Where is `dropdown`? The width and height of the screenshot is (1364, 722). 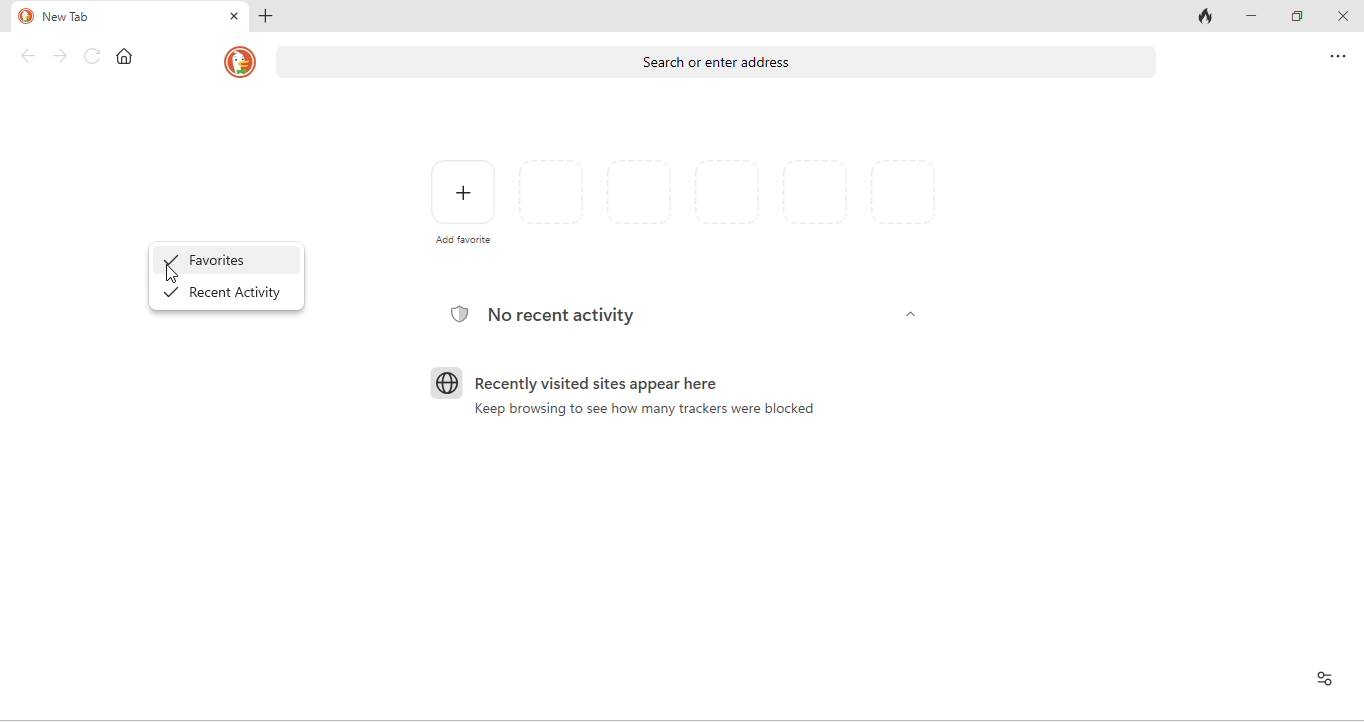
dropdown is located at coordinates (913, 318).